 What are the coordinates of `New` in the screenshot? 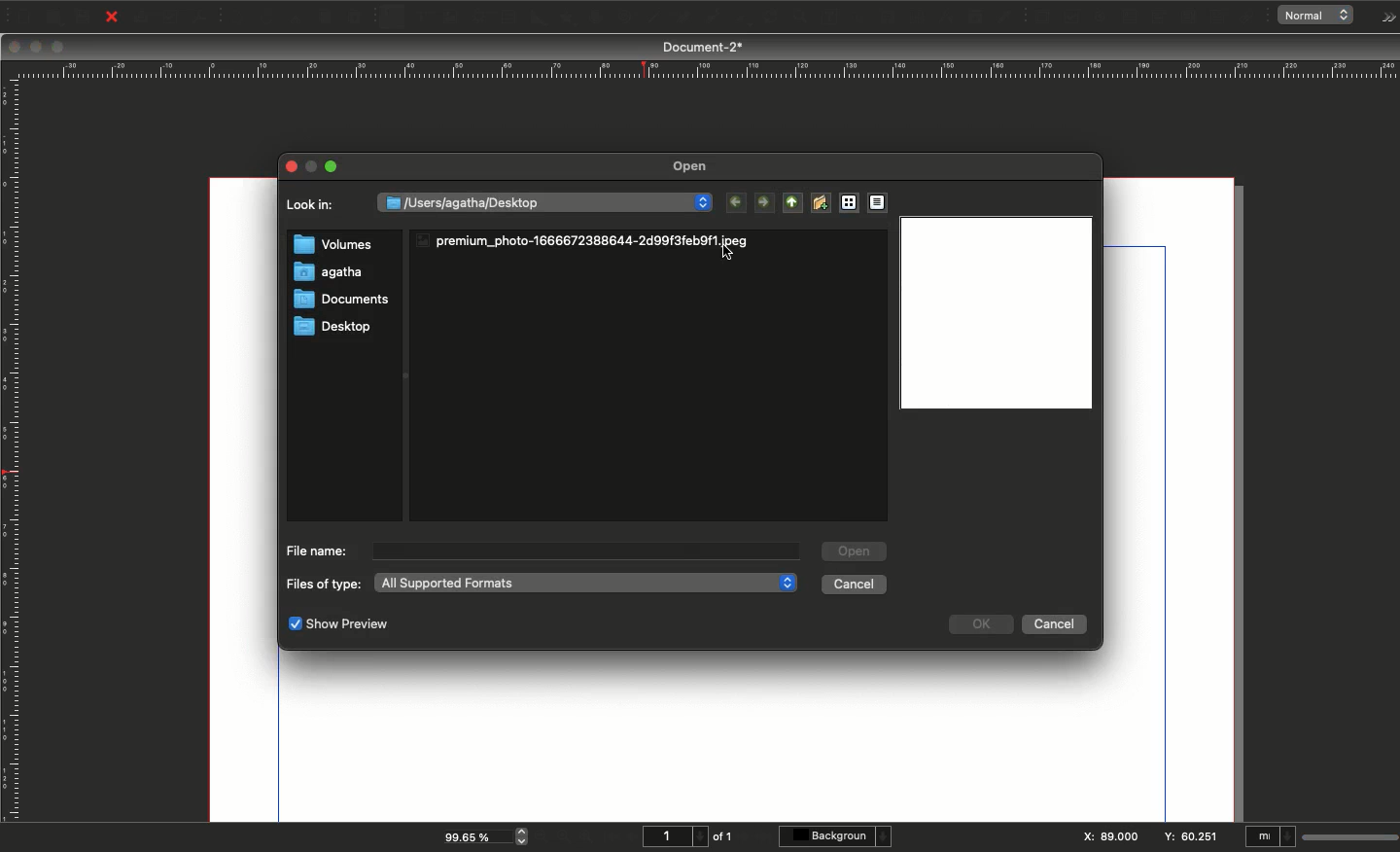 It's located at (21, 15).